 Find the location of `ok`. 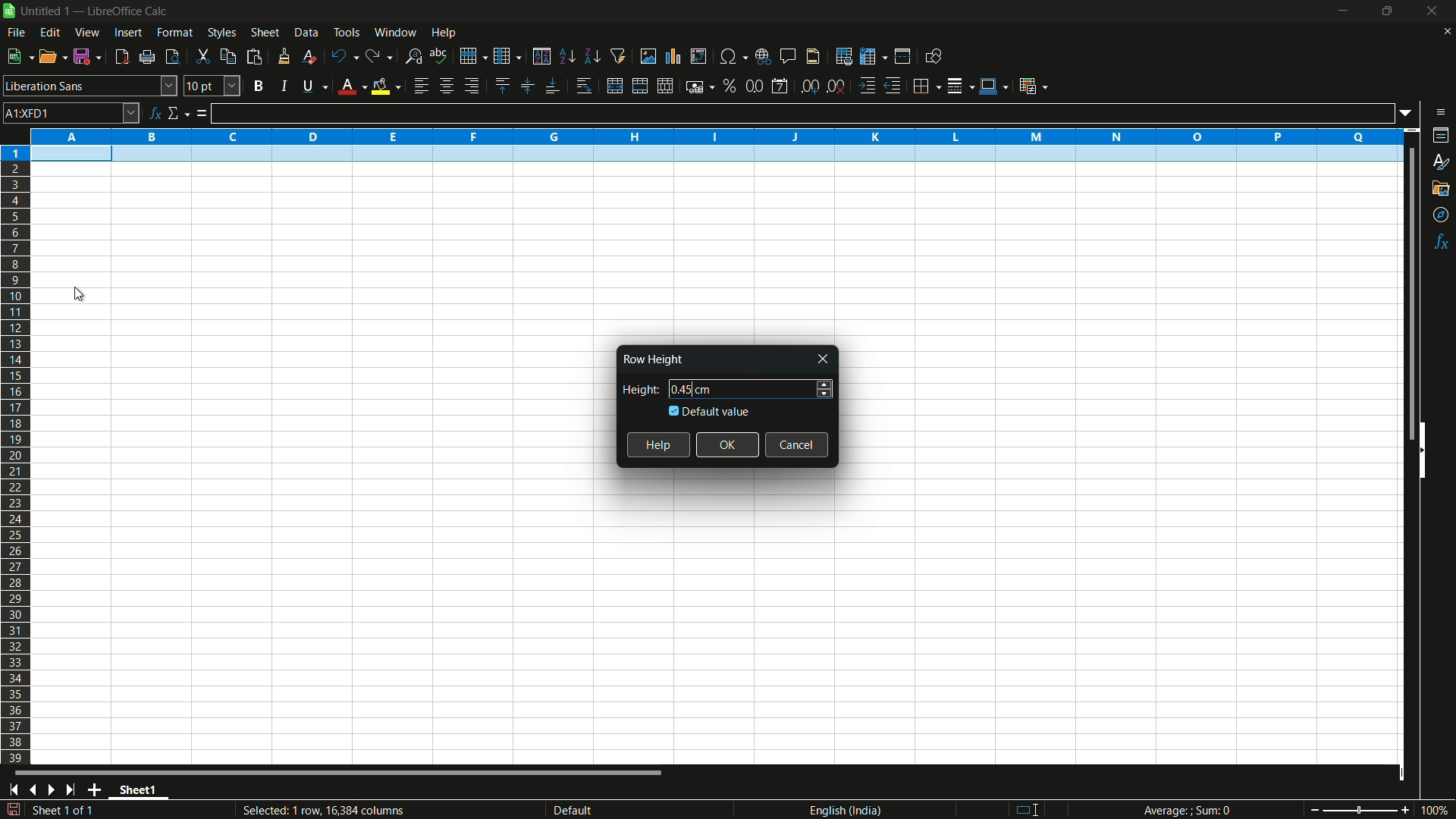

ok is located at coordinates (729, 444).